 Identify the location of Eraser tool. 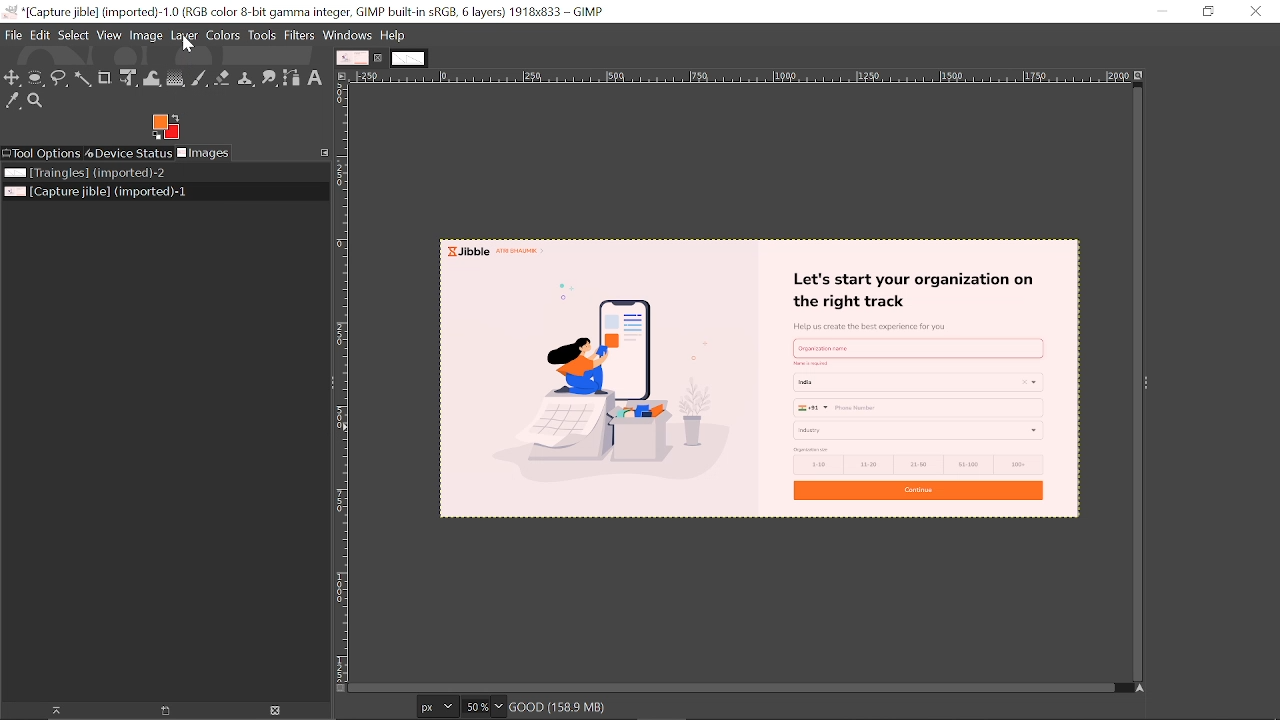
(223, 78).